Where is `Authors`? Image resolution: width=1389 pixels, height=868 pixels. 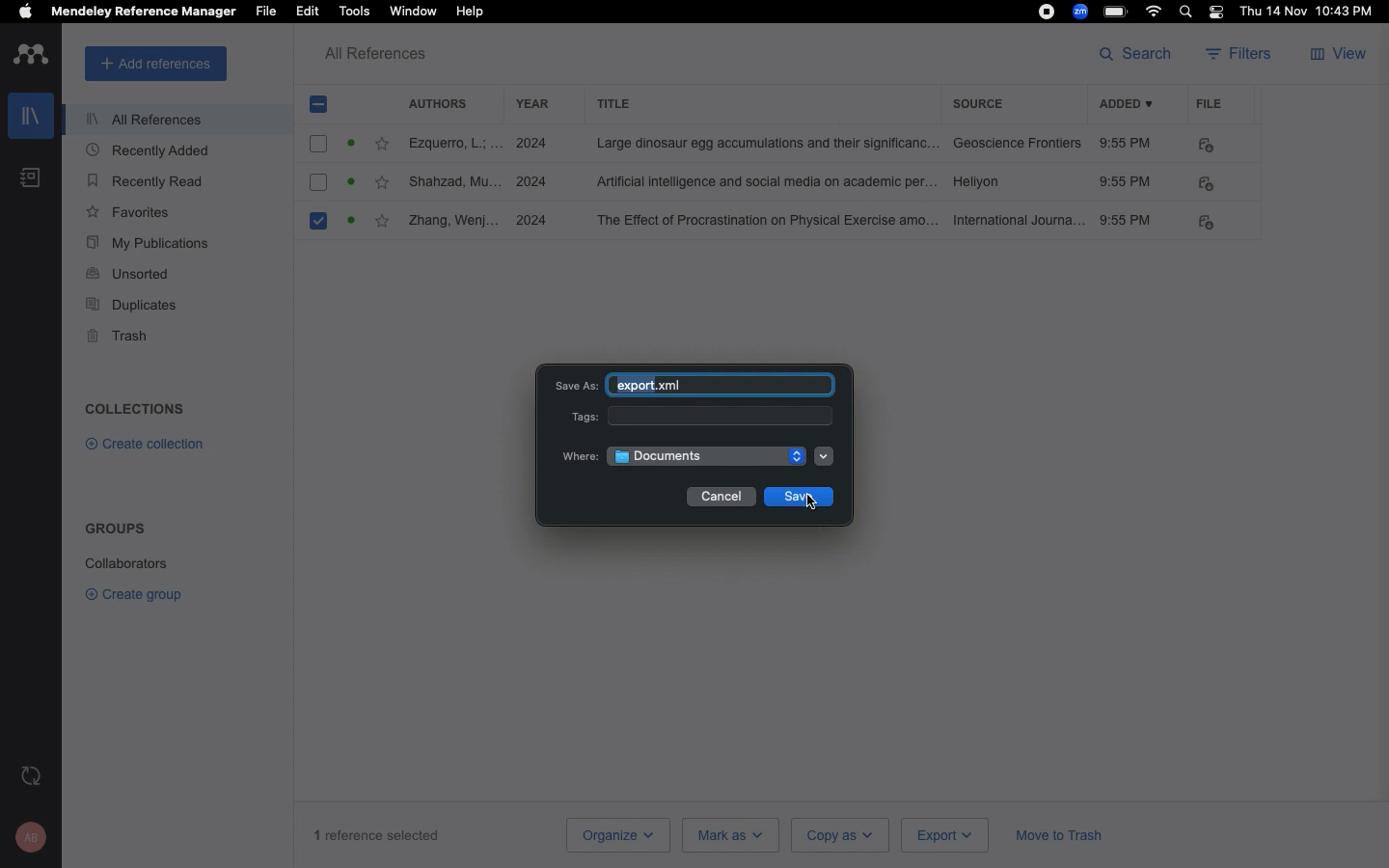 Authors is located at coordinates (445, 102).